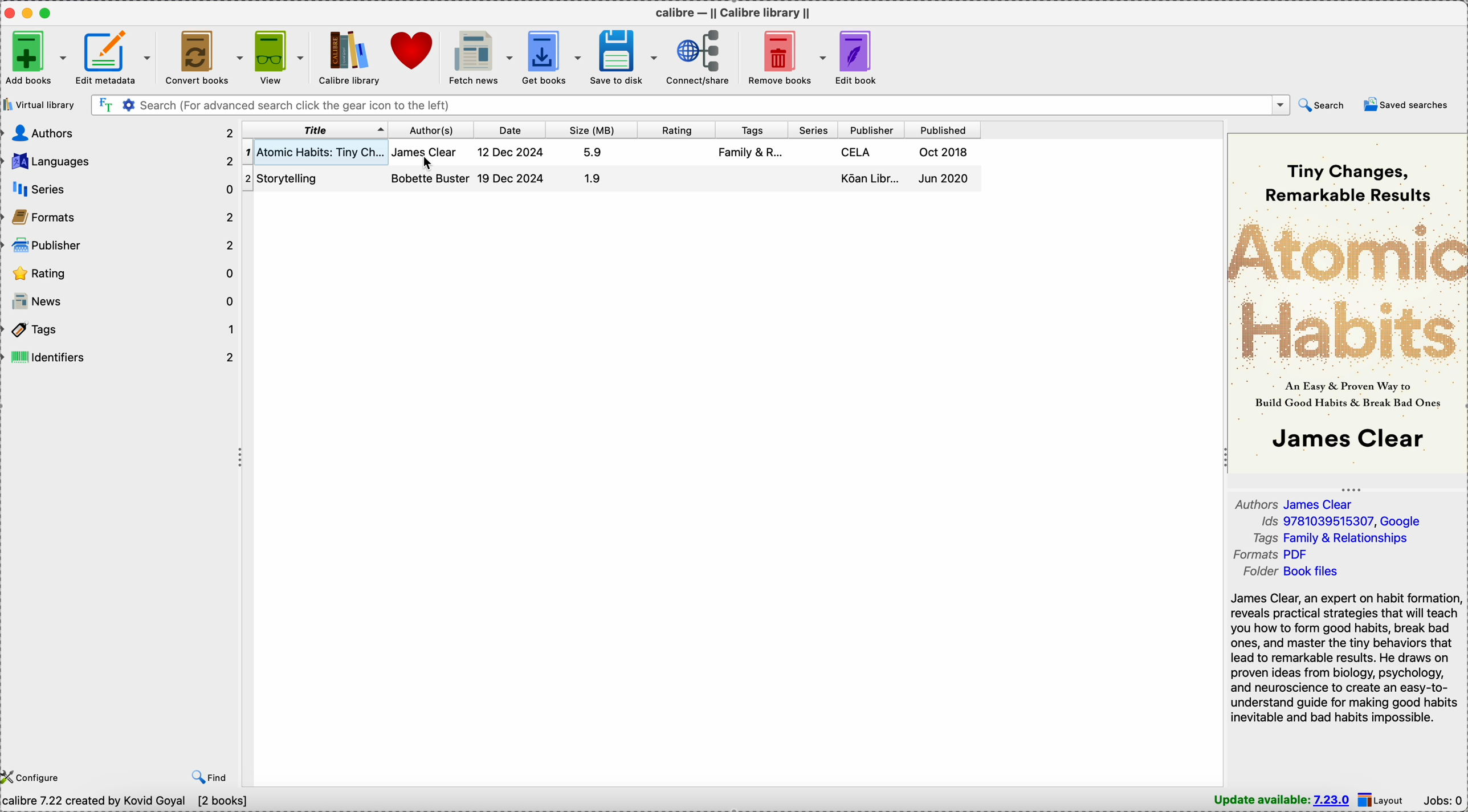 The height and width of the screenshot is (812, 1468). What do you see at coordinates (121, 332) in the screenshot?
I see `tags` at bounding box center [121, 332].